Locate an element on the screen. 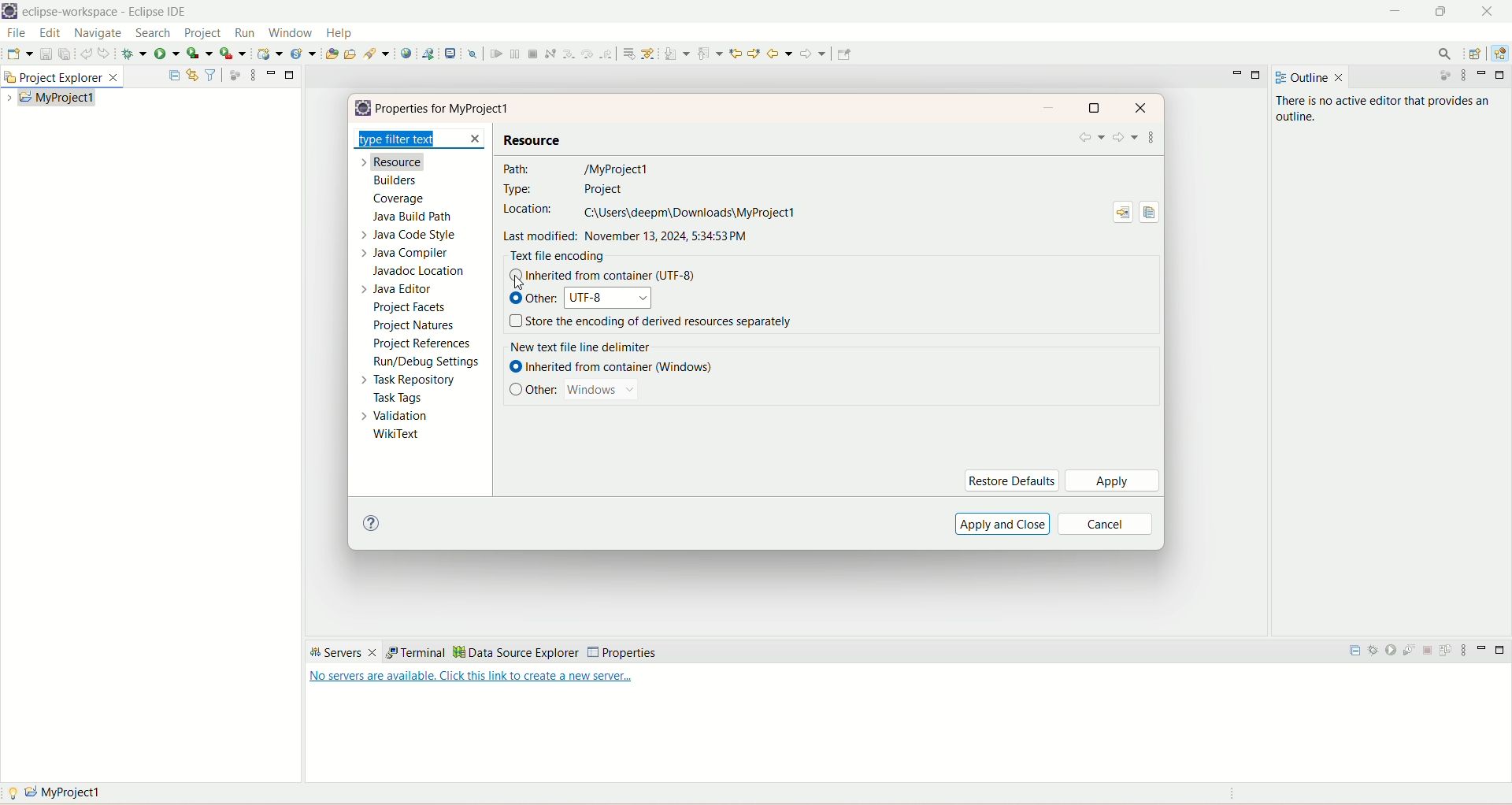  data source explorer is located at coordinates (517, 652).